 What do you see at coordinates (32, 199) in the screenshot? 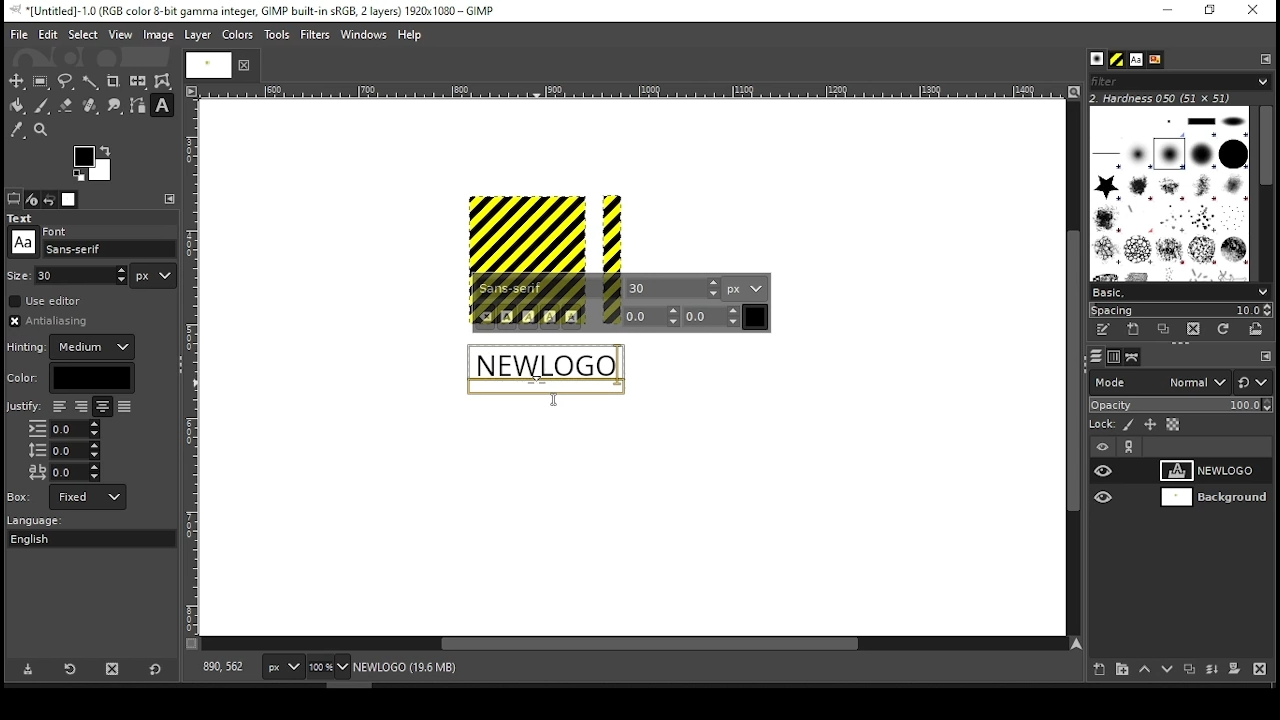
I see `device status` at bounding box center [32, 199].